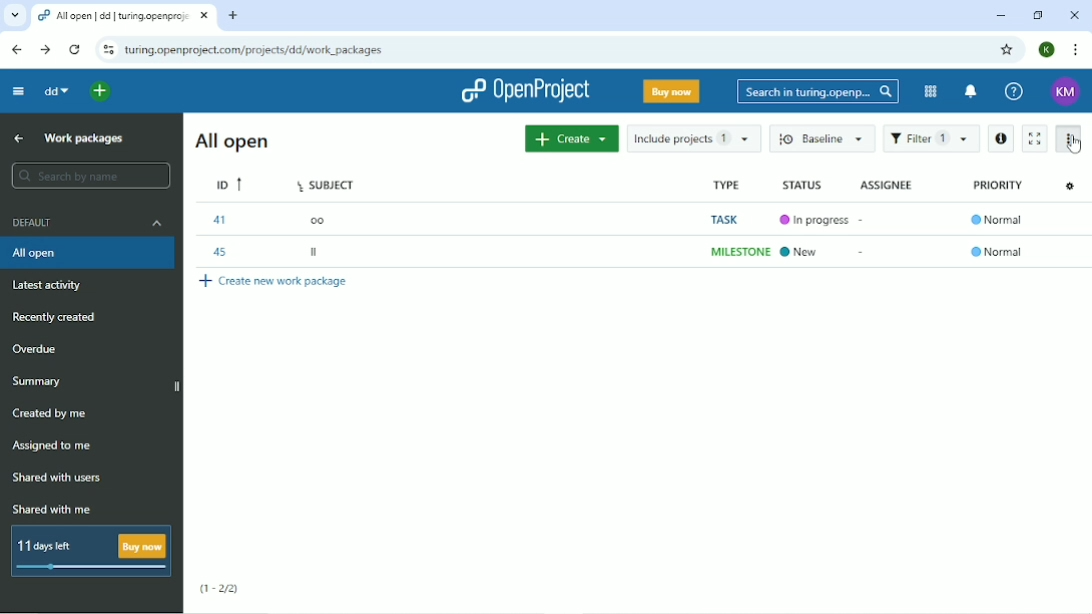  I want to click on Search tabs, so click(14, 16).